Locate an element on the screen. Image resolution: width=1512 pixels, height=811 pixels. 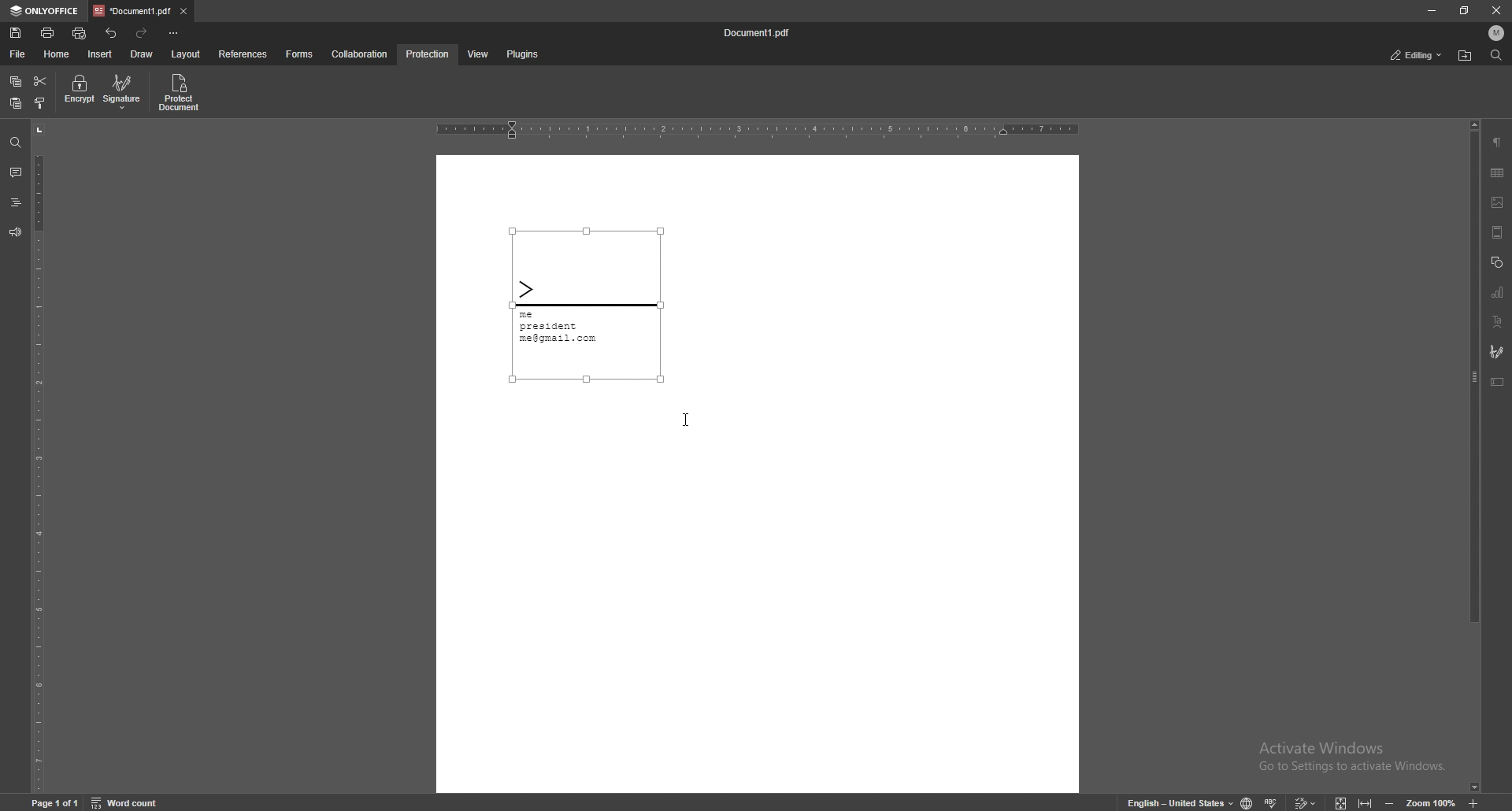
cursor is located at coordinates (685, 418).